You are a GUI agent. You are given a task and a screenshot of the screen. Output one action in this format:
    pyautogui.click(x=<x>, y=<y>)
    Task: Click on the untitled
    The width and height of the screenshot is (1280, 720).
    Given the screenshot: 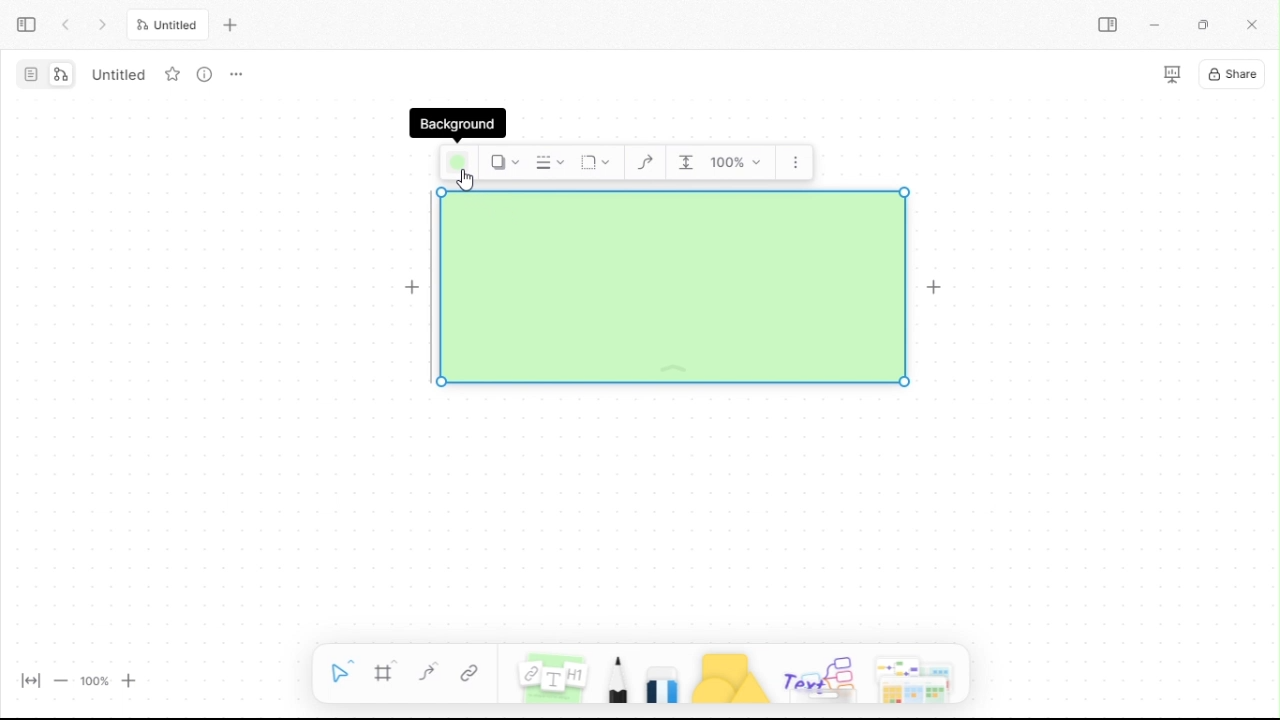 What is the action you would take?
    pyautogui.click(x=117, y=73)
    